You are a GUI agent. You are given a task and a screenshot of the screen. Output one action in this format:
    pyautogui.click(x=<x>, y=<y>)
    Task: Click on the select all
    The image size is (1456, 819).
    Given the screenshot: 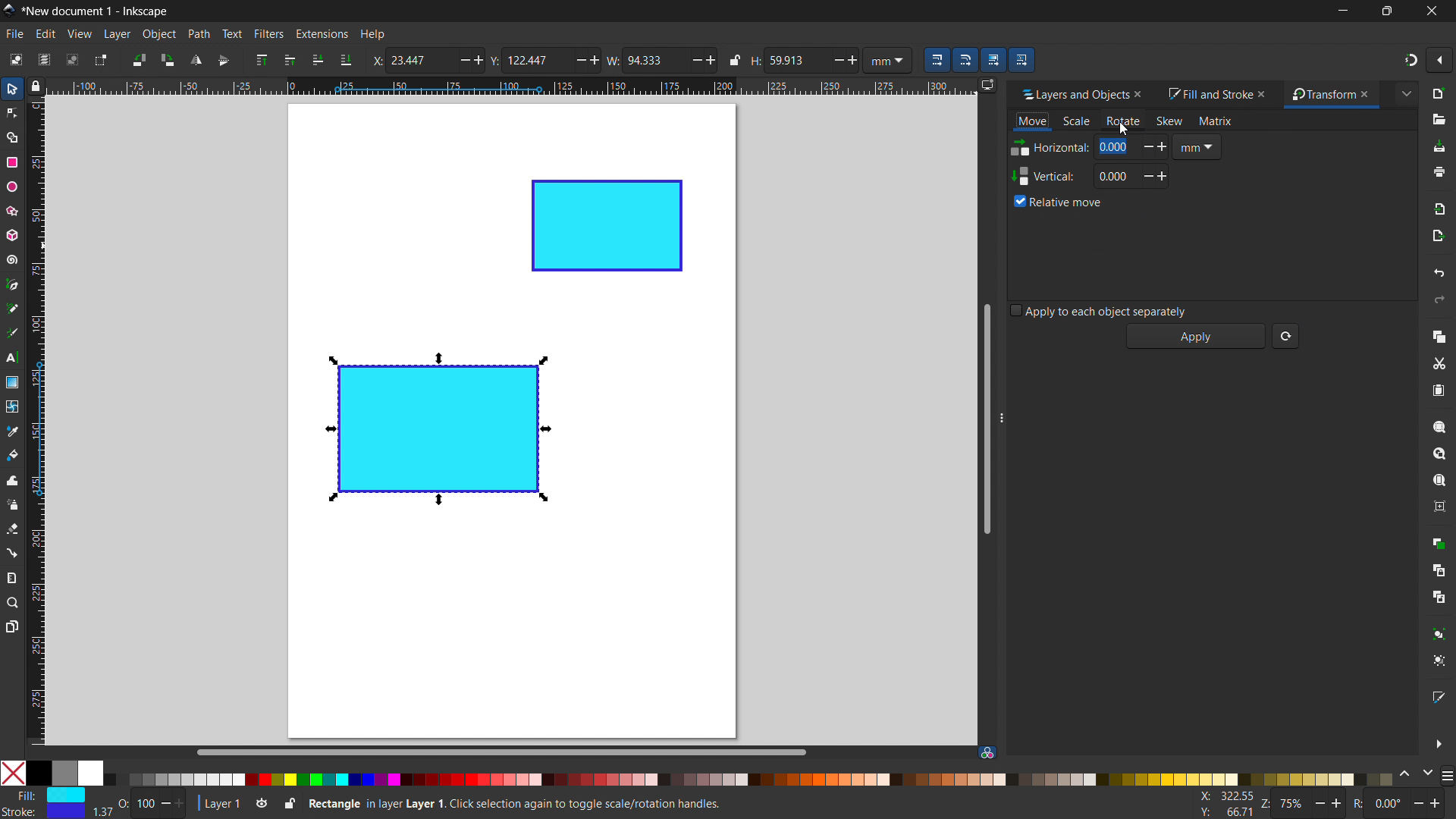 What is the action you would take?
    pyautogui.click(x=14, y=59)
    